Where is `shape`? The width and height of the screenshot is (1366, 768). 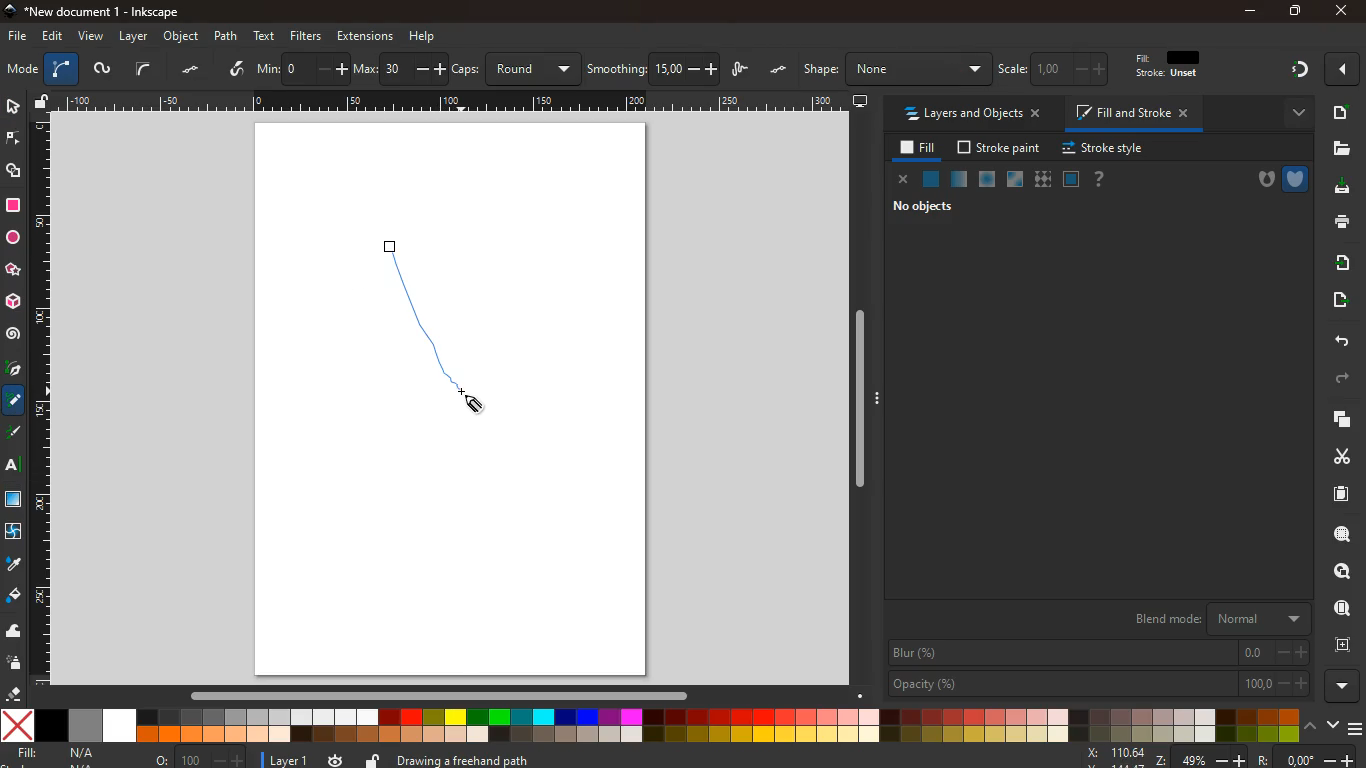 shape is located at coordinates (896, 69).